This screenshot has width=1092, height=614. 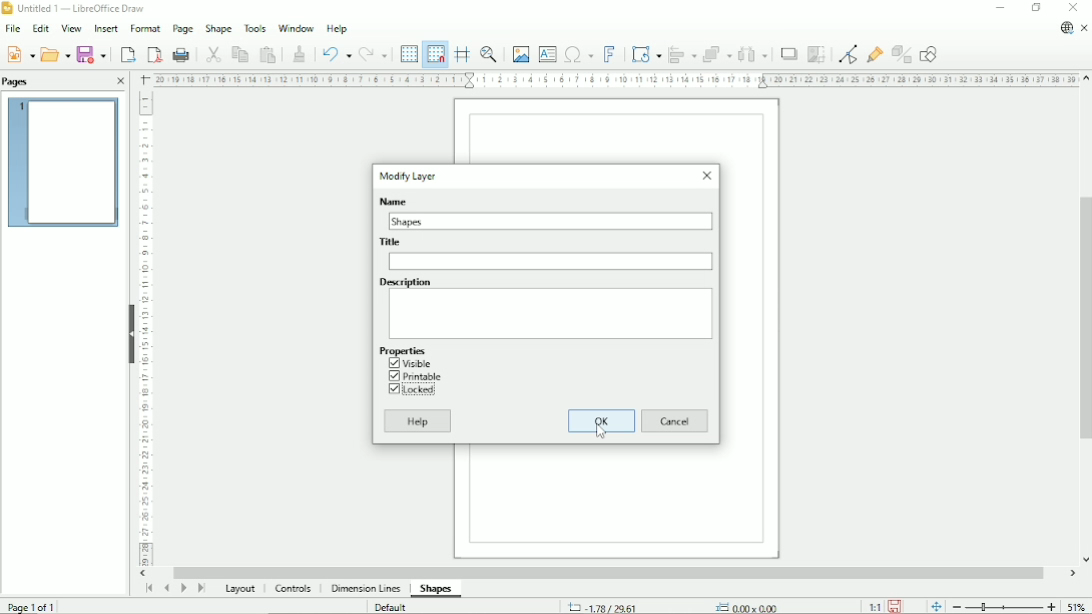 I want to click on Scroll to last page, so click(x=201, y=589).